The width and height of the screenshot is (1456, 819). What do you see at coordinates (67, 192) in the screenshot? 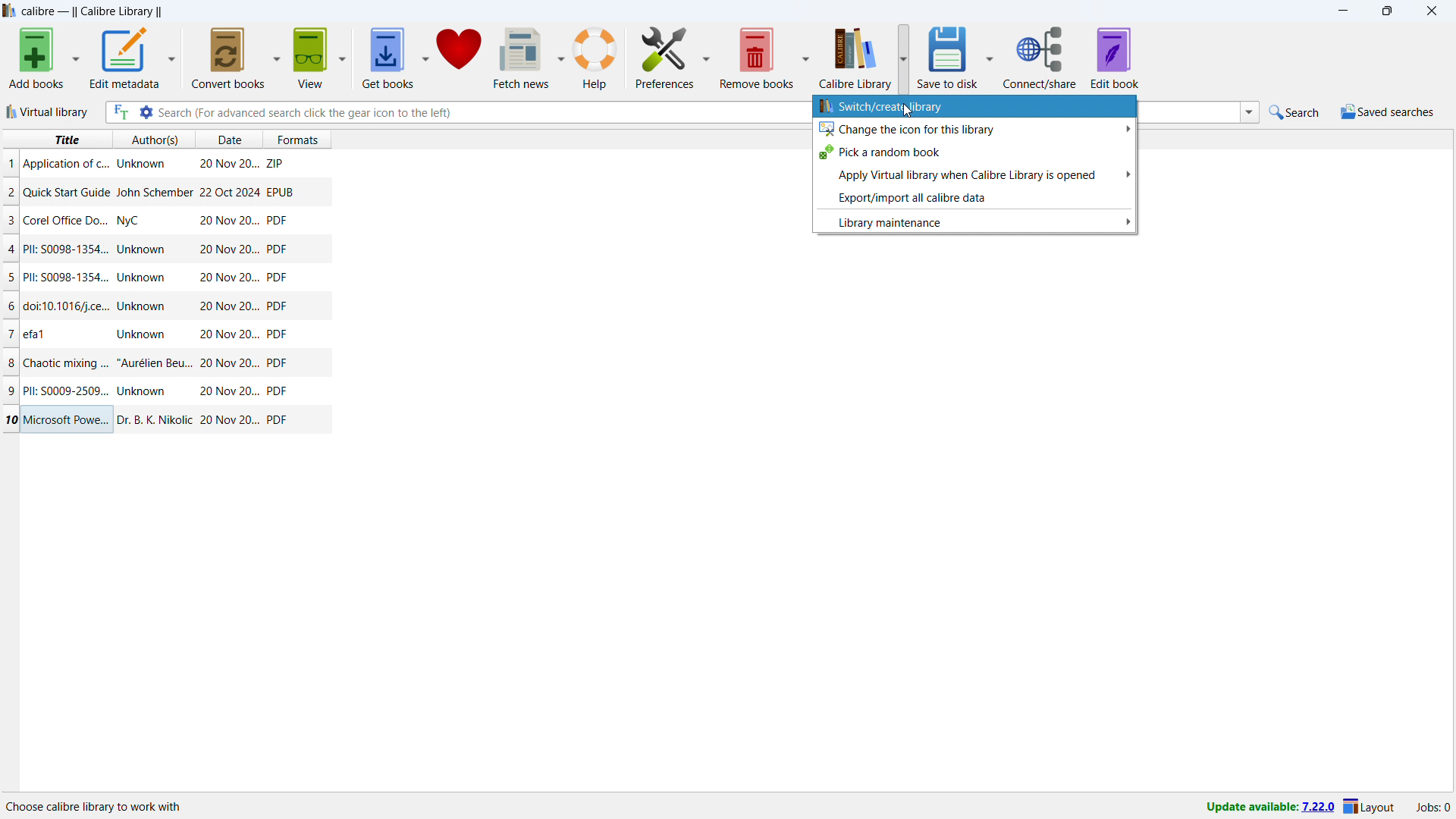
I see `Title` at bounding box center [67, 192].